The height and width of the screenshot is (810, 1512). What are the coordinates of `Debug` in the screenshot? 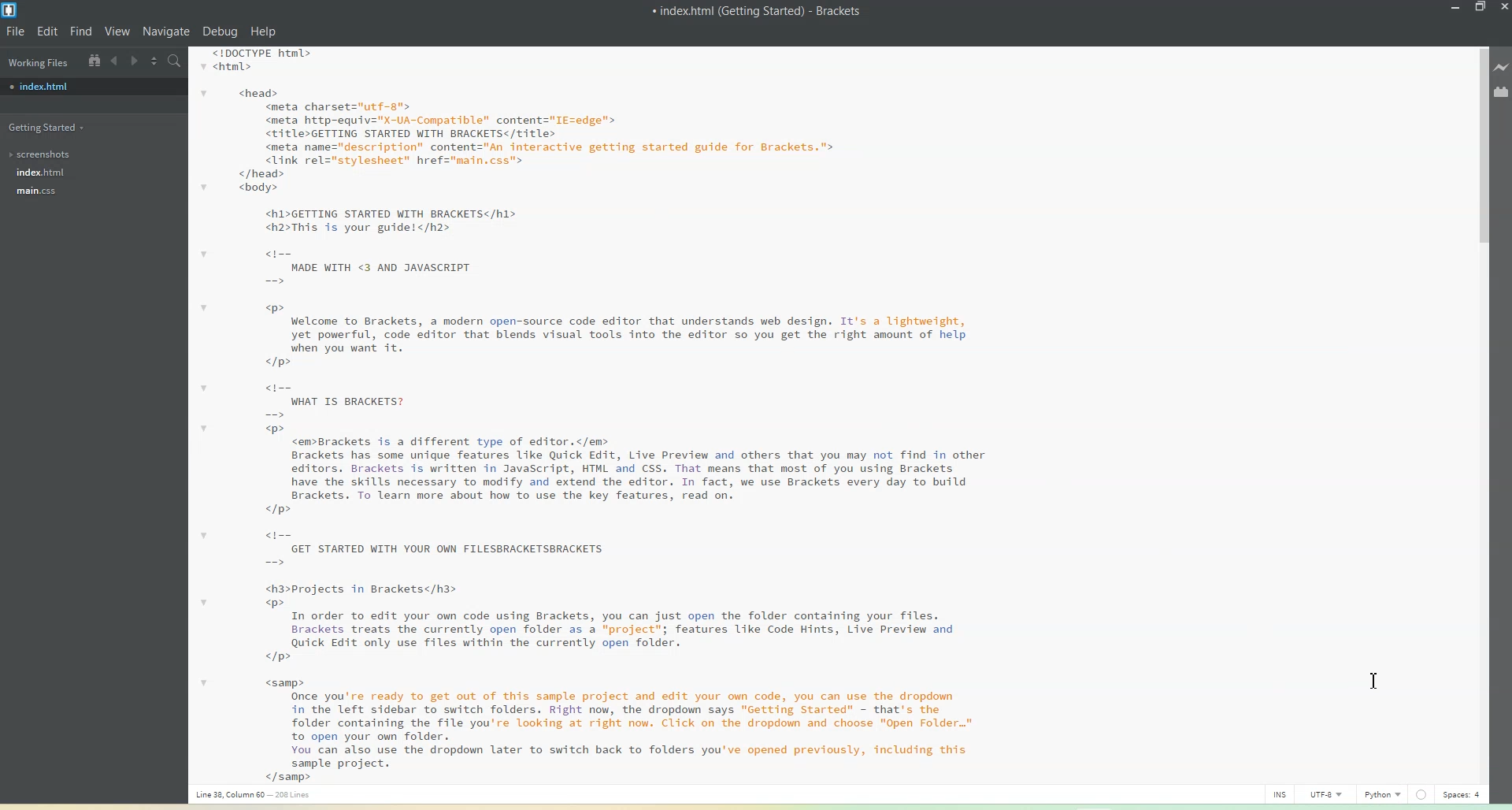 It's located at (220, 32).